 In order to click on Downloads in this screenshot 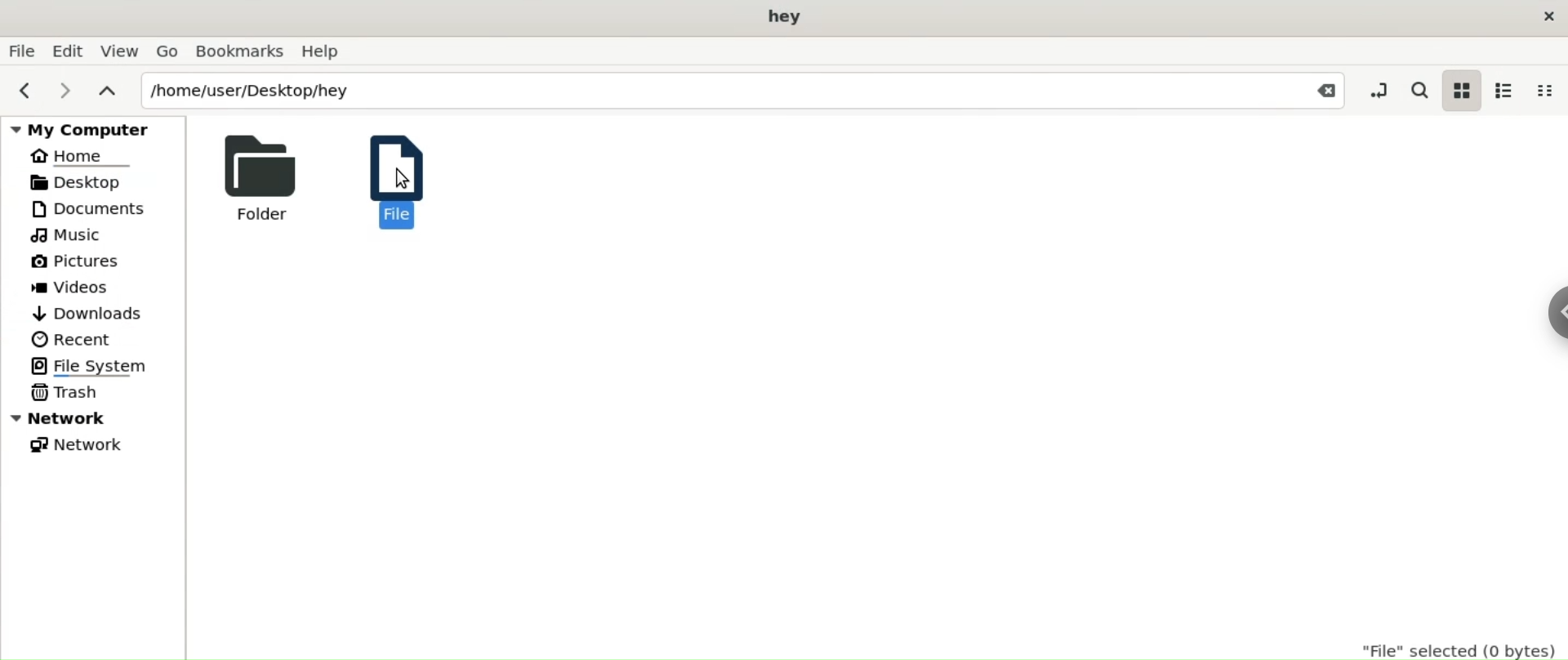, I will do `click(83, 312)`.